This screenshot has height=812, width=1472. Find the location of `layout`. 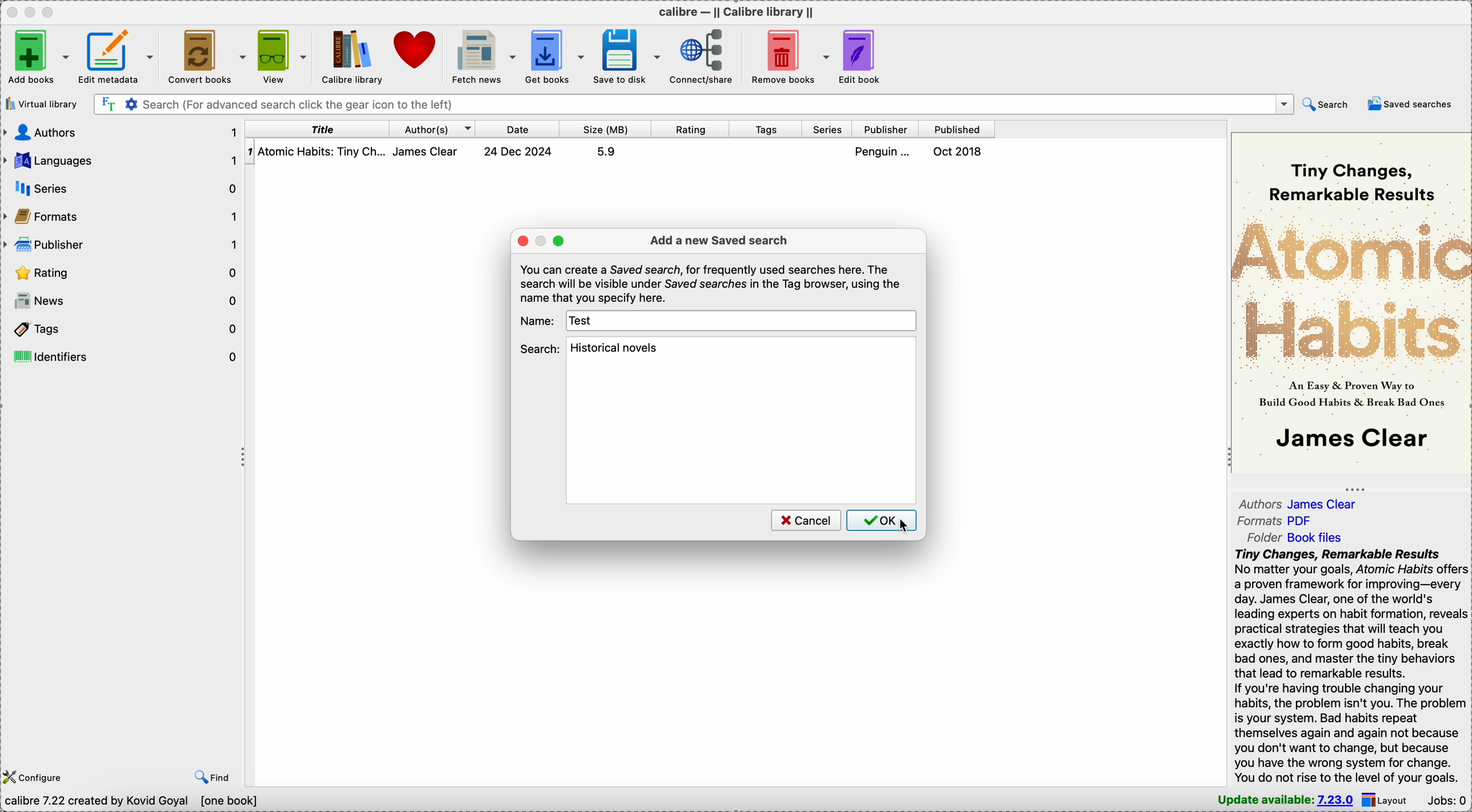

layout is located at coordinates (1389, 799).